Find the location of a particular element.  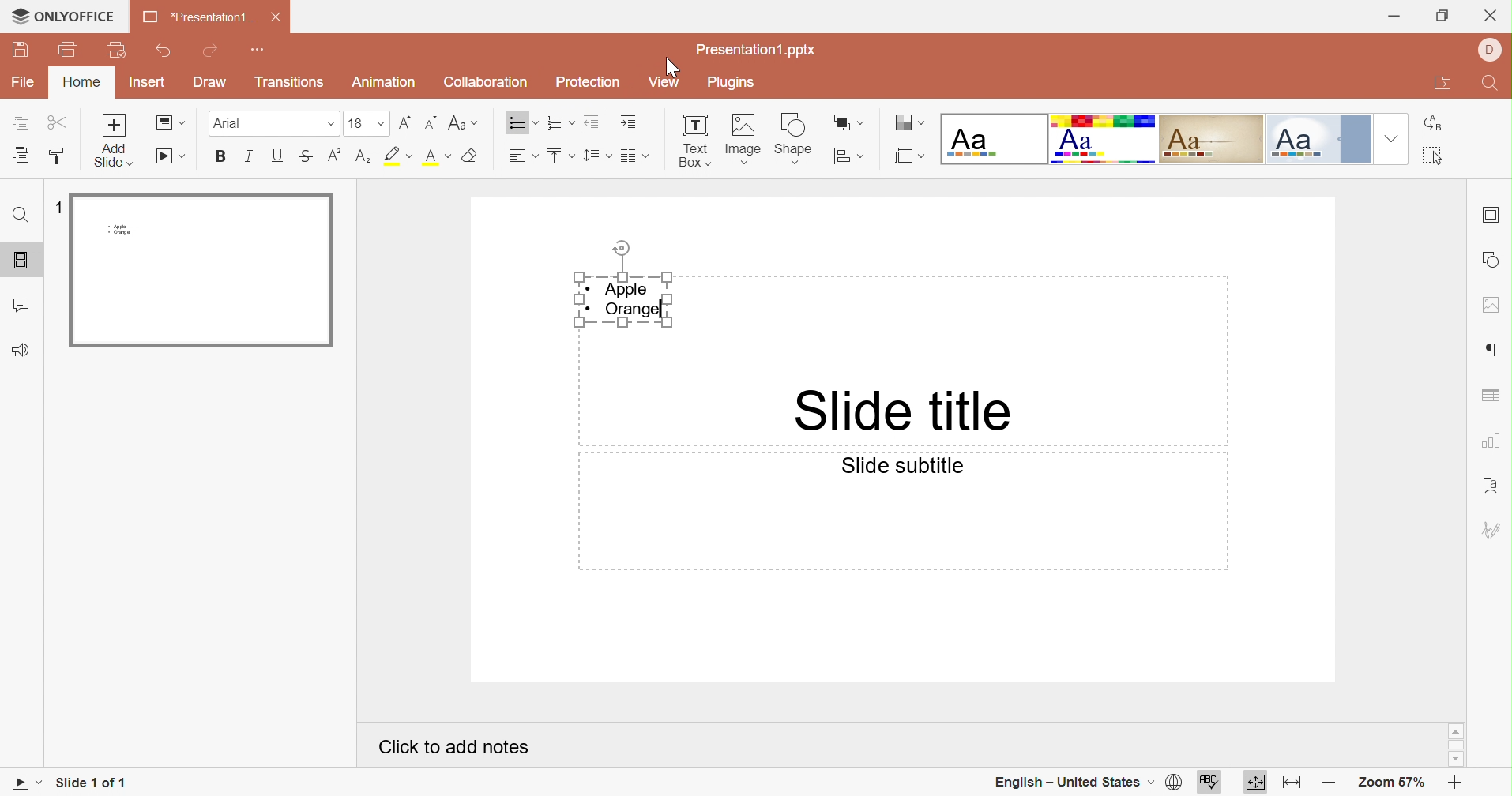

Slide subtitle is located at coordinates (901, 467).